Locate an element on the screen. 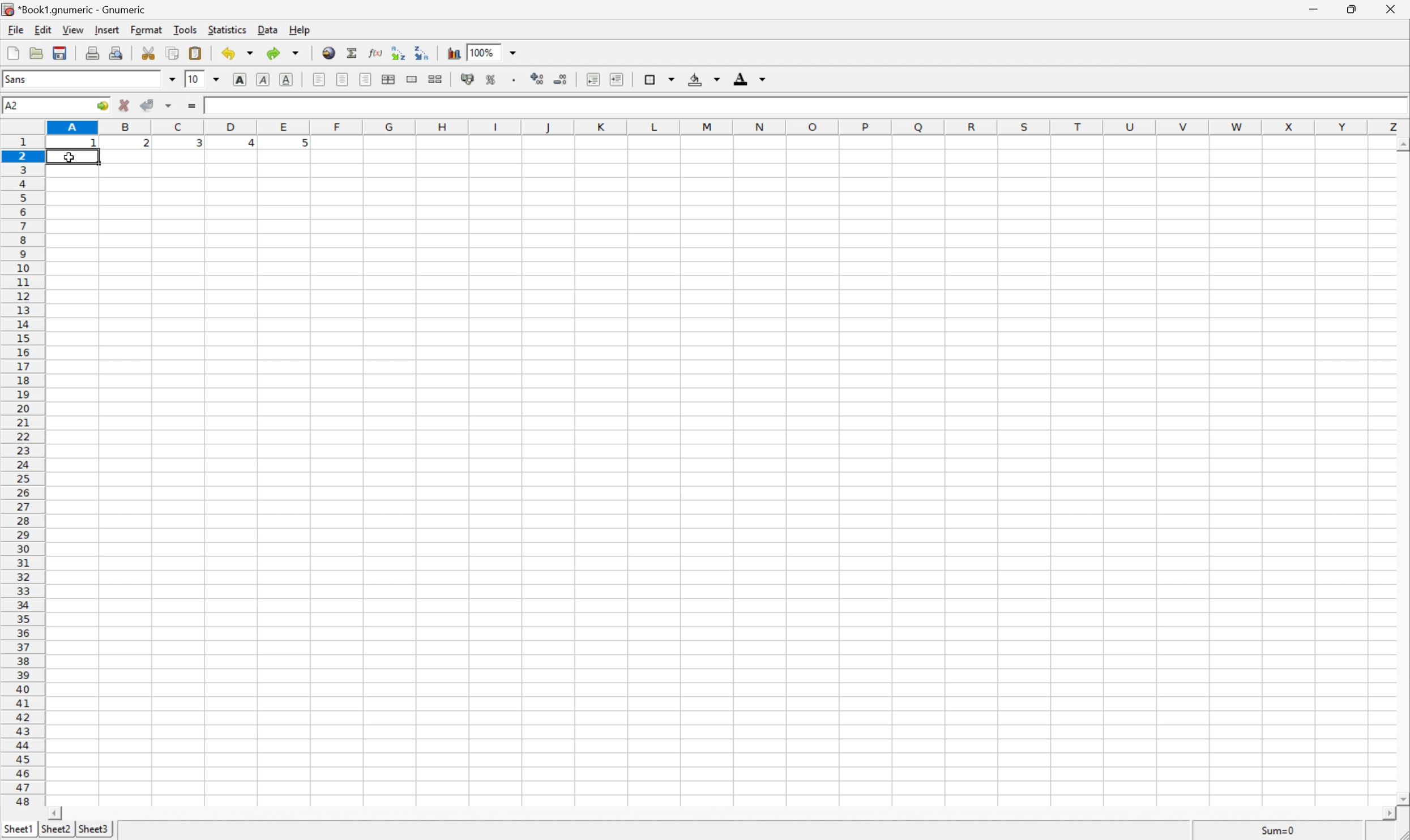 This screenshot has height=840, width=1410. input cells  is located at coordinates (719, 485).